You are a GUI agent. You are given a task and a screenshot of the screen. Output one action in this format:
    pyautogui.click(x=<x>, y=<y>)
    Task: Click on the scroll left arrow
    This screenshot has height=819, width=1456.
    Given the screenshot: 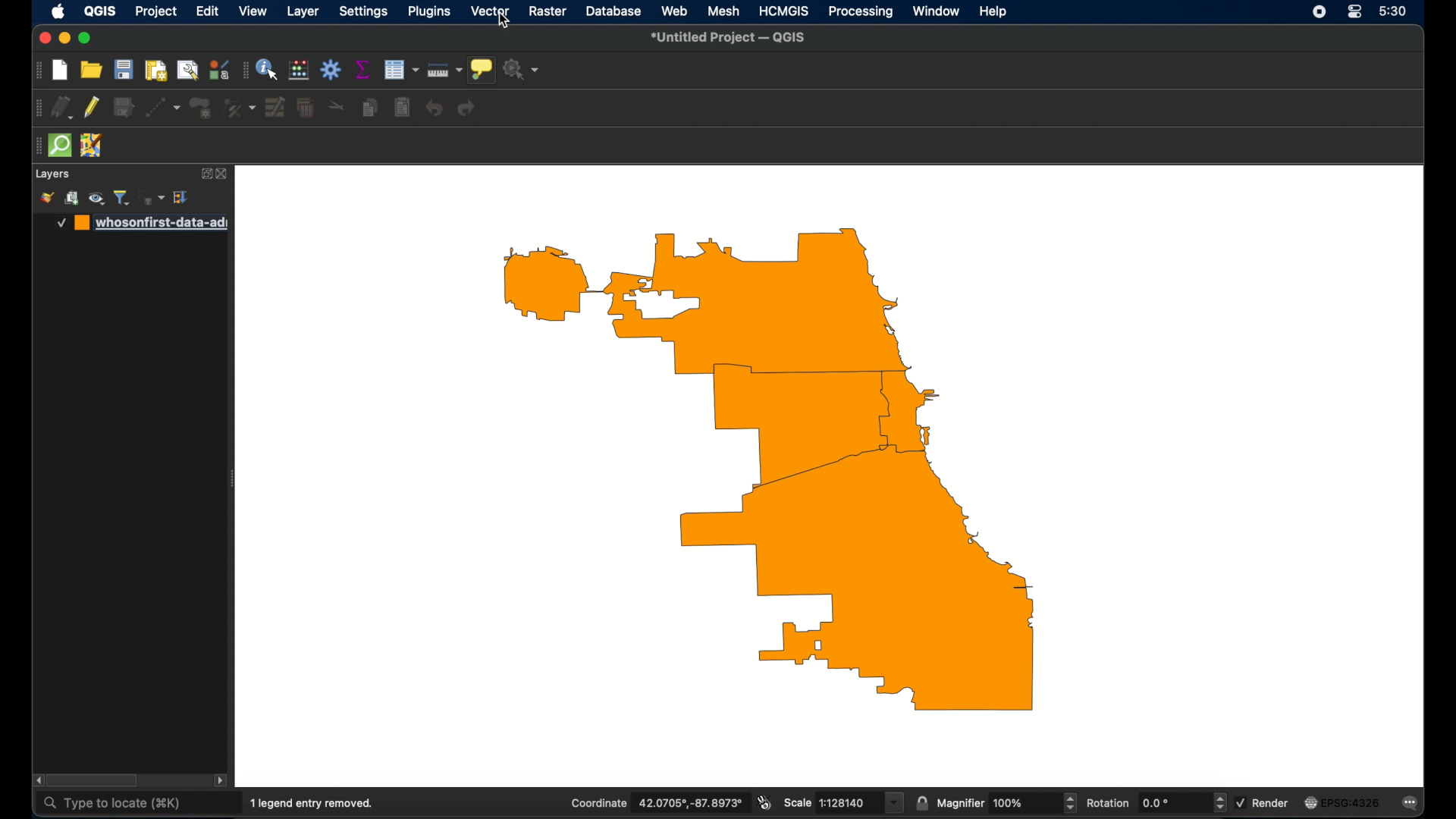 What is the action you would take?
    pyautogui.click(x=37, y=780)
    